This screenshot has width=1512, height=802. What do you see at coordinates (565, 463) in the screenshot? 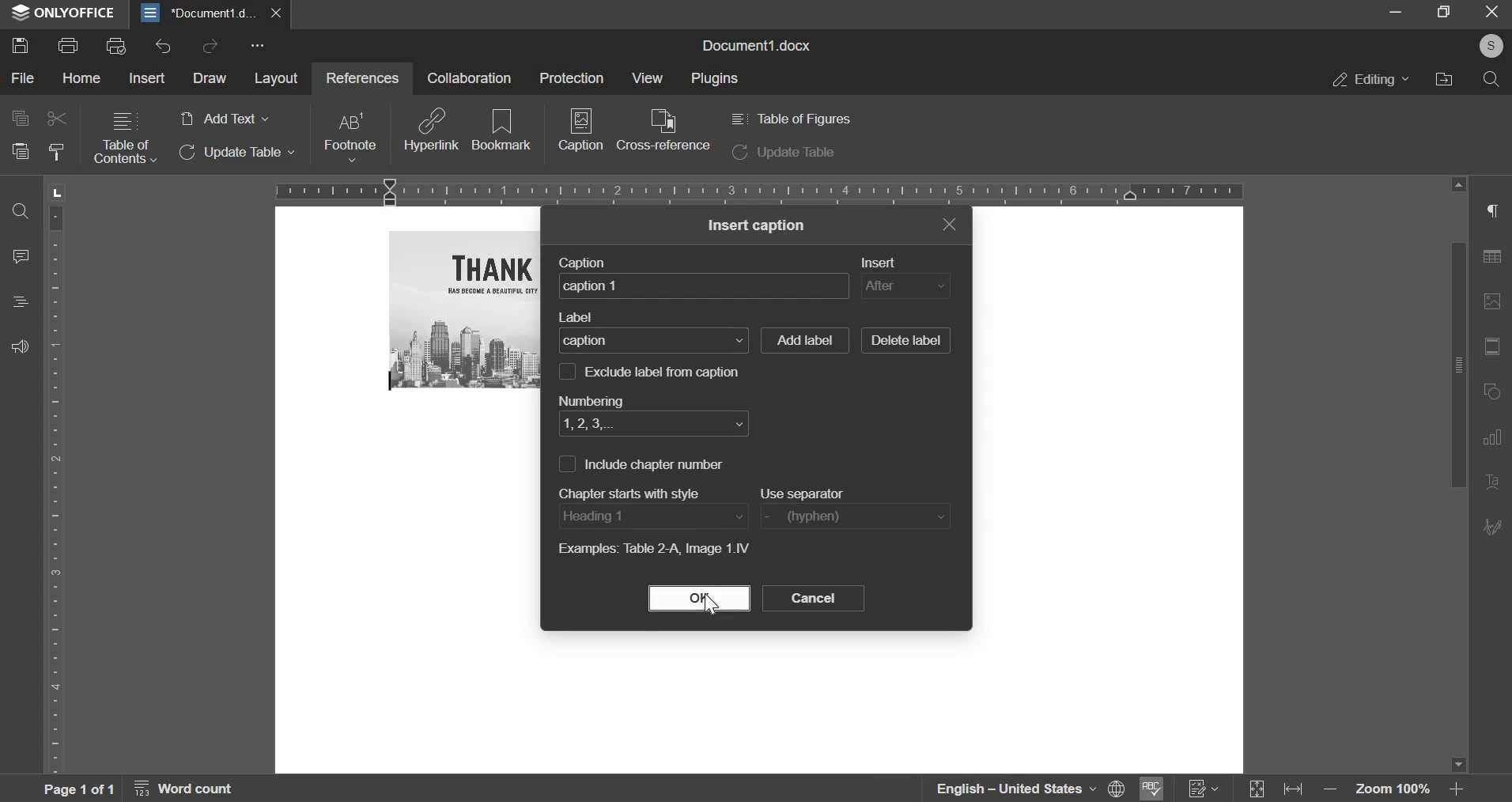
I see `include chapter number` at bounding box center [565, 463].